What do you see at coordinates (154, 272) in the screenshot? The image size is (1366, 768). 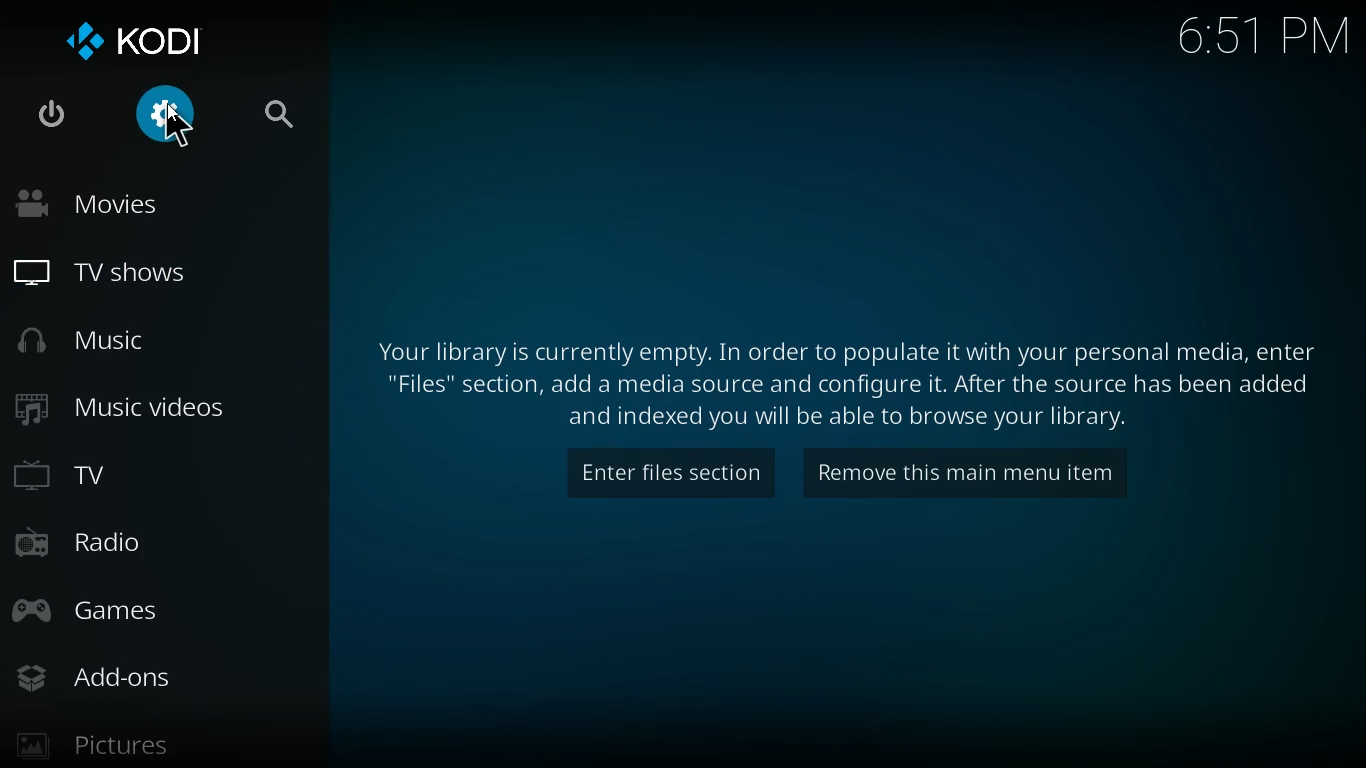 I see `tv shows` at bounding box center [154, 272].